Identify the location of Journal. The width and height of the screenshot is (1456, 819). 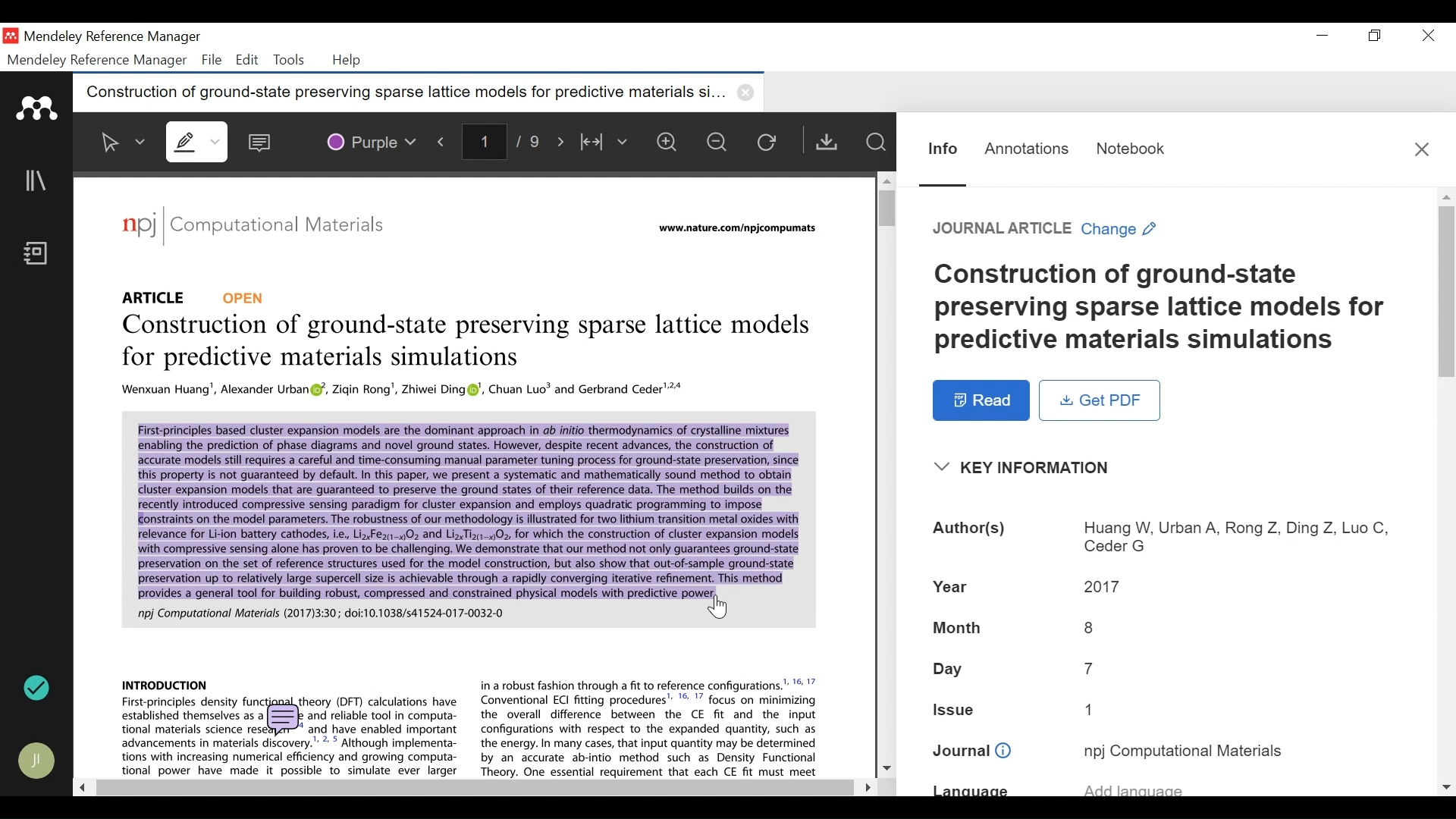
(289, 227).